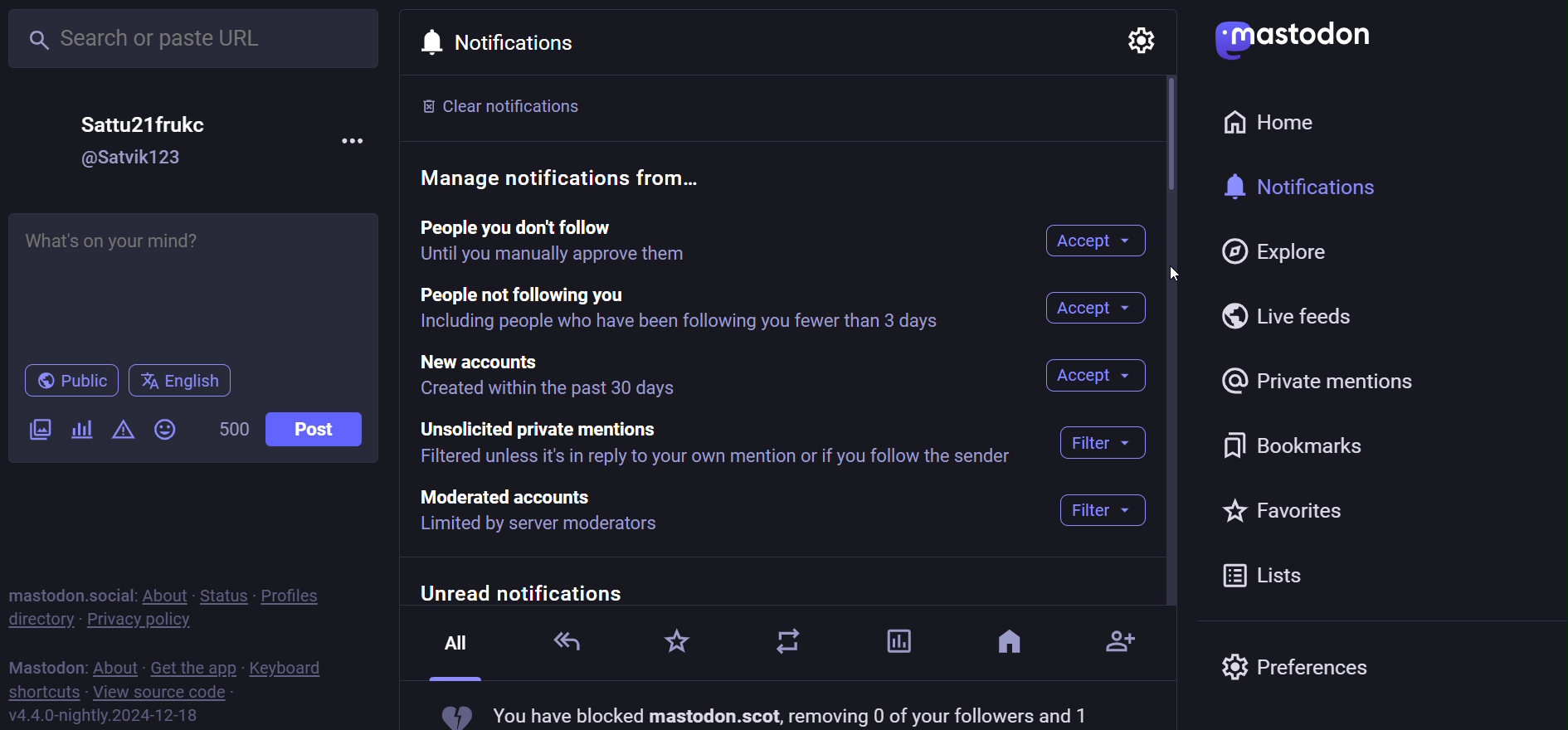 Image resolution: width=1568 pixels, height=730 pixels. Describe the element at coordinates (1162, 139) in the screenshot. I see `scroll bar` at that location.